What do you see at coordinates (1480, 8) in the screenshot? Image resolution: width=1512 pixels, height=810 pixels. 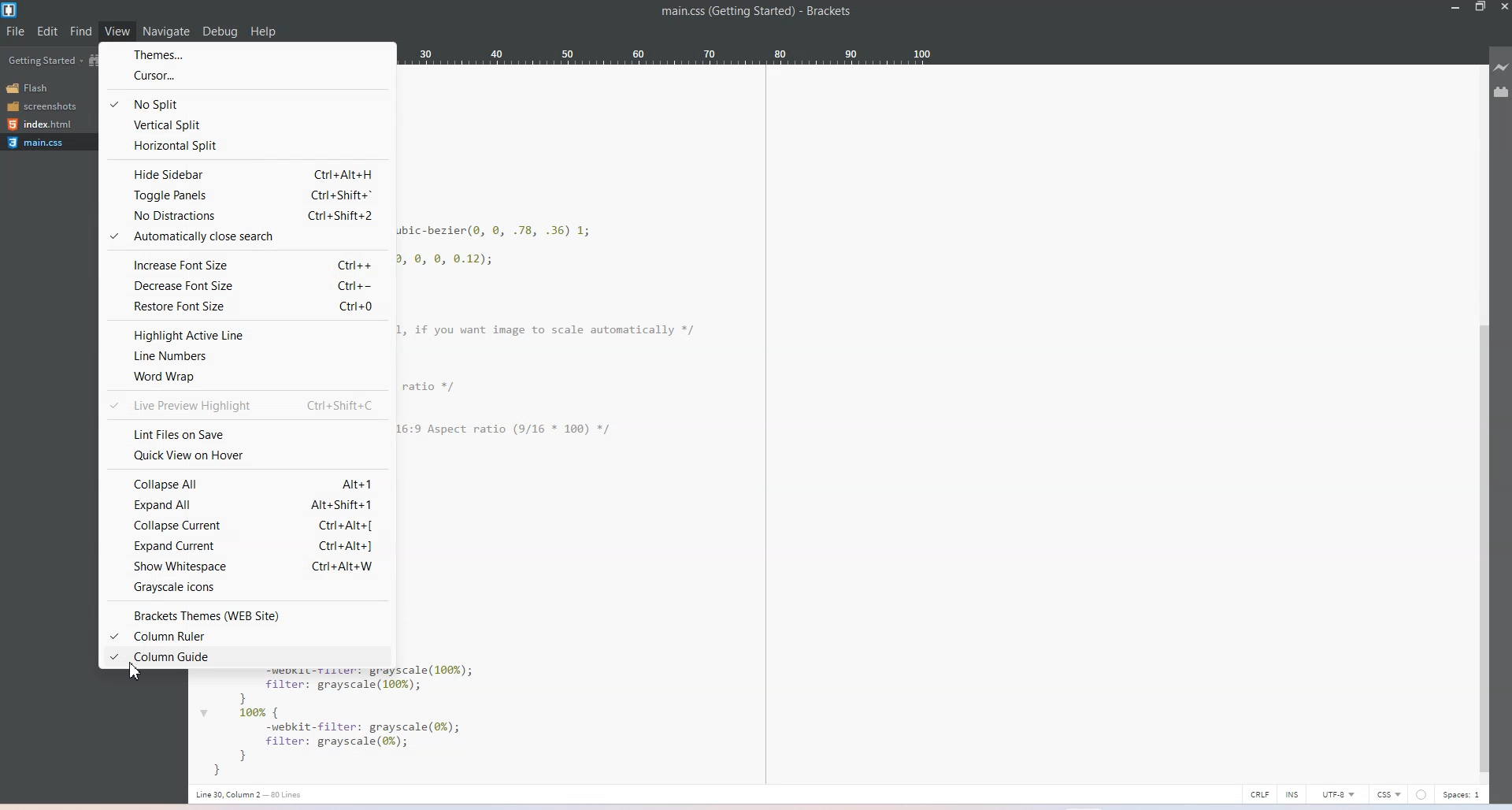 I see `Maximize` at bounding box center [1480, 8].